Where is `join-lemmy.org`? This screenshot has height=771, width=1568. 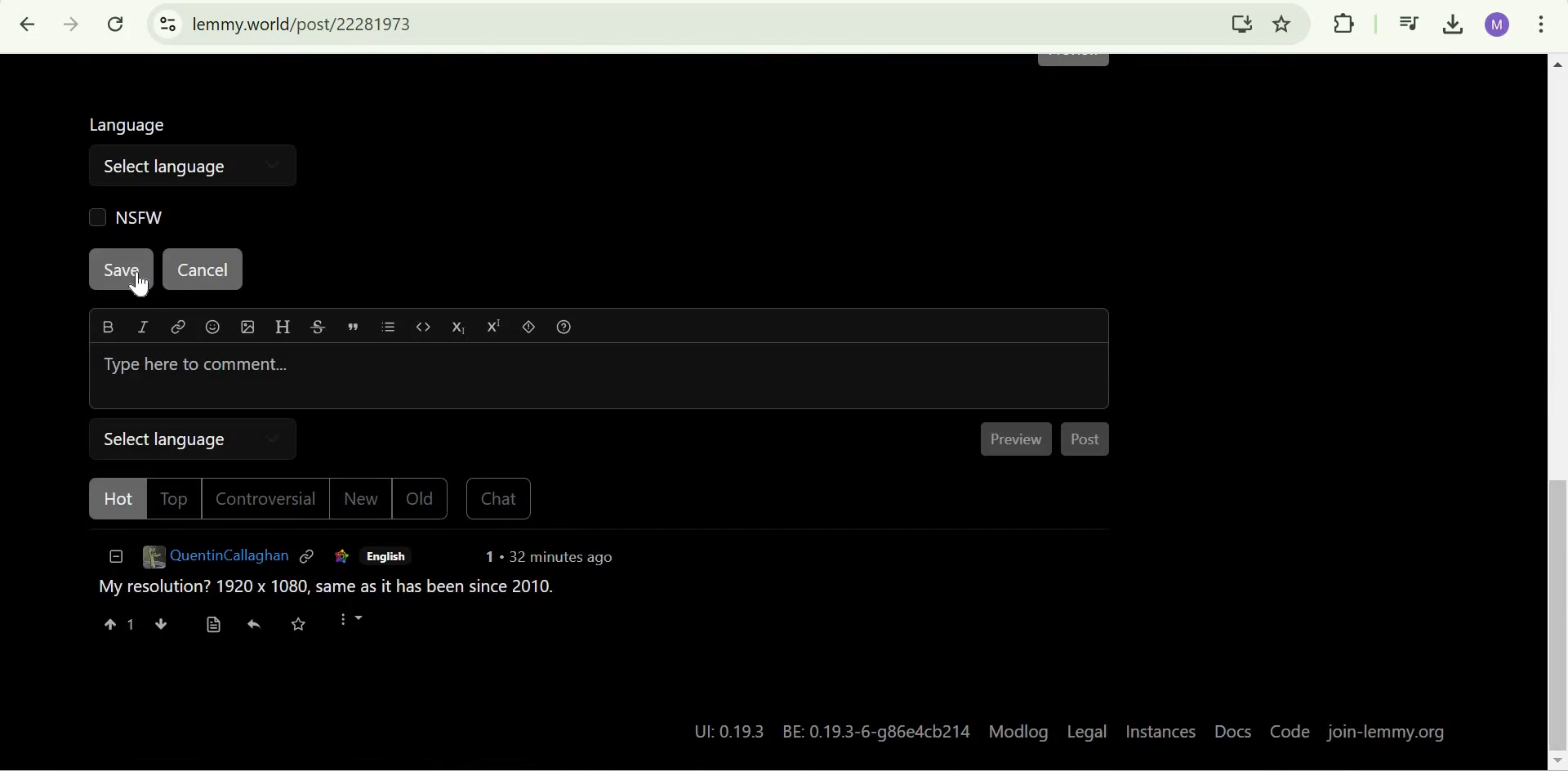
join-lemmy.org is located at coordinates (1389, 733).